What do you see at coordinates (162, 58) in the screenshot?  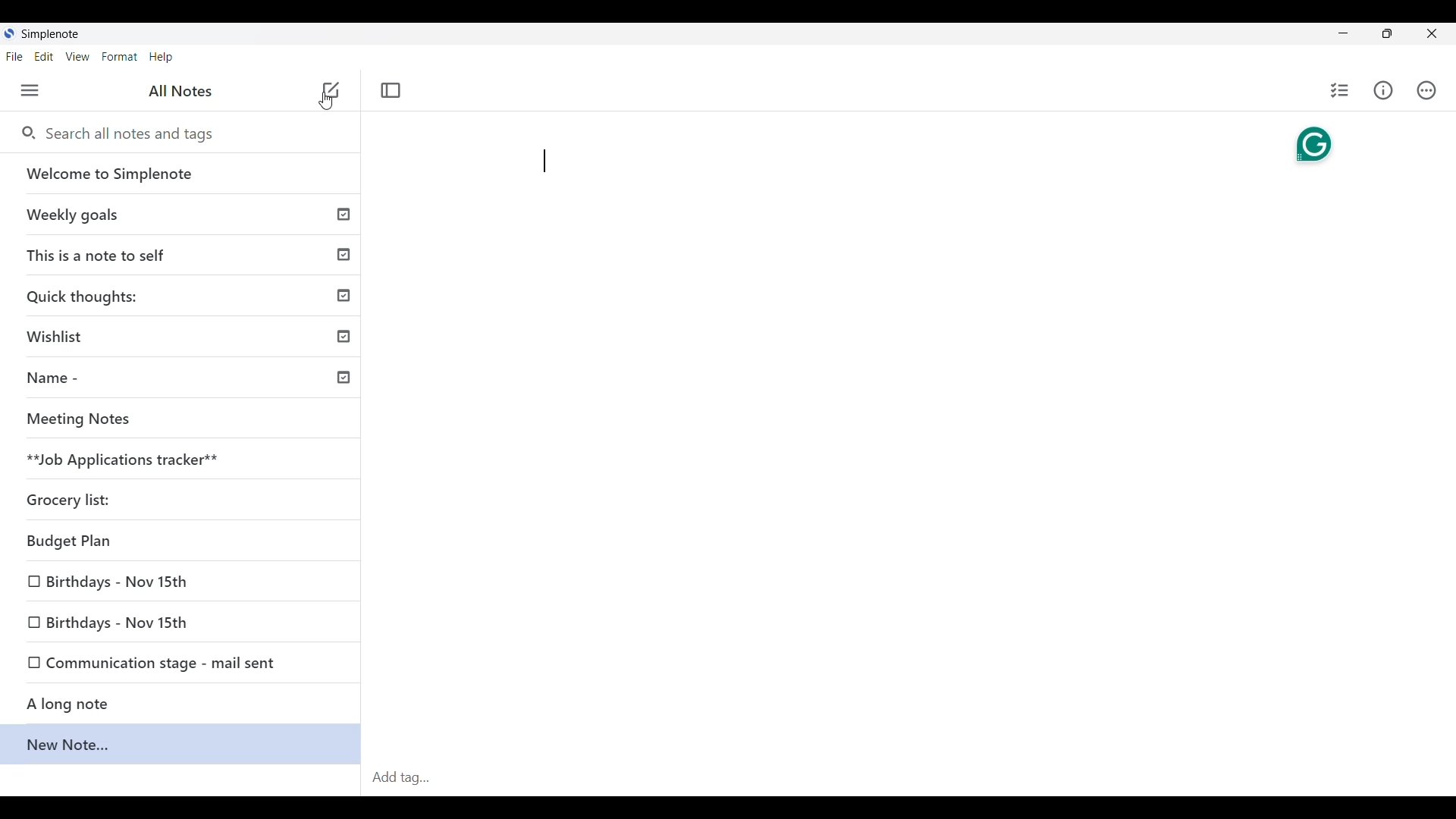 I see `Help` at bounding box center [162, 58].